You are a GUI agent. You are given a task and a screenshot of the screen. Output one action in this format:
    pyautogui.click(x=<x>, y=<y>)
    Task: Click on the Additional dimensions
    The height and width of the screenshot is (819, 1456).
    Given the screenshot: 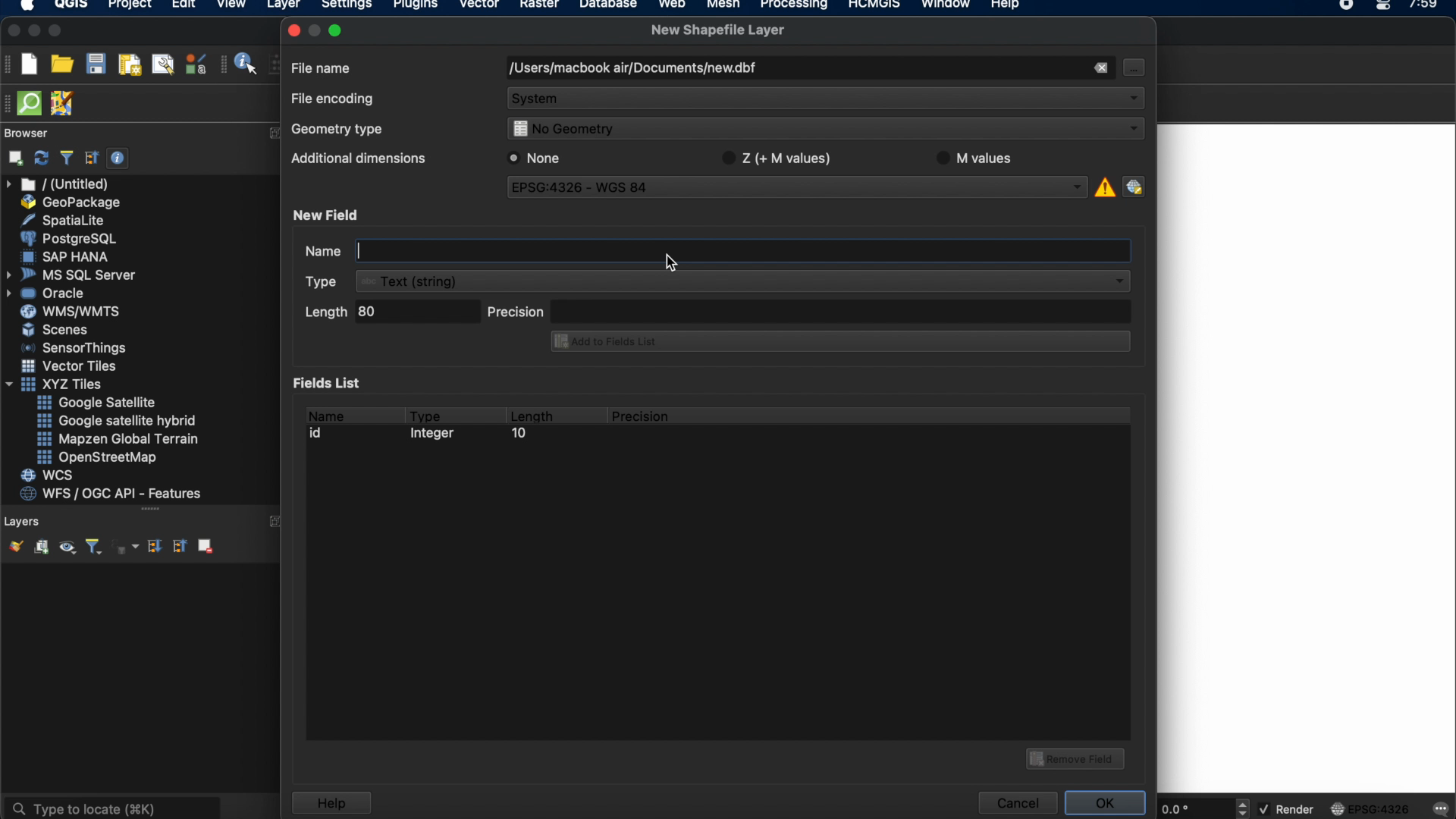 What is the action you would take?
    pyautogui.click(x=356, y=161)
    